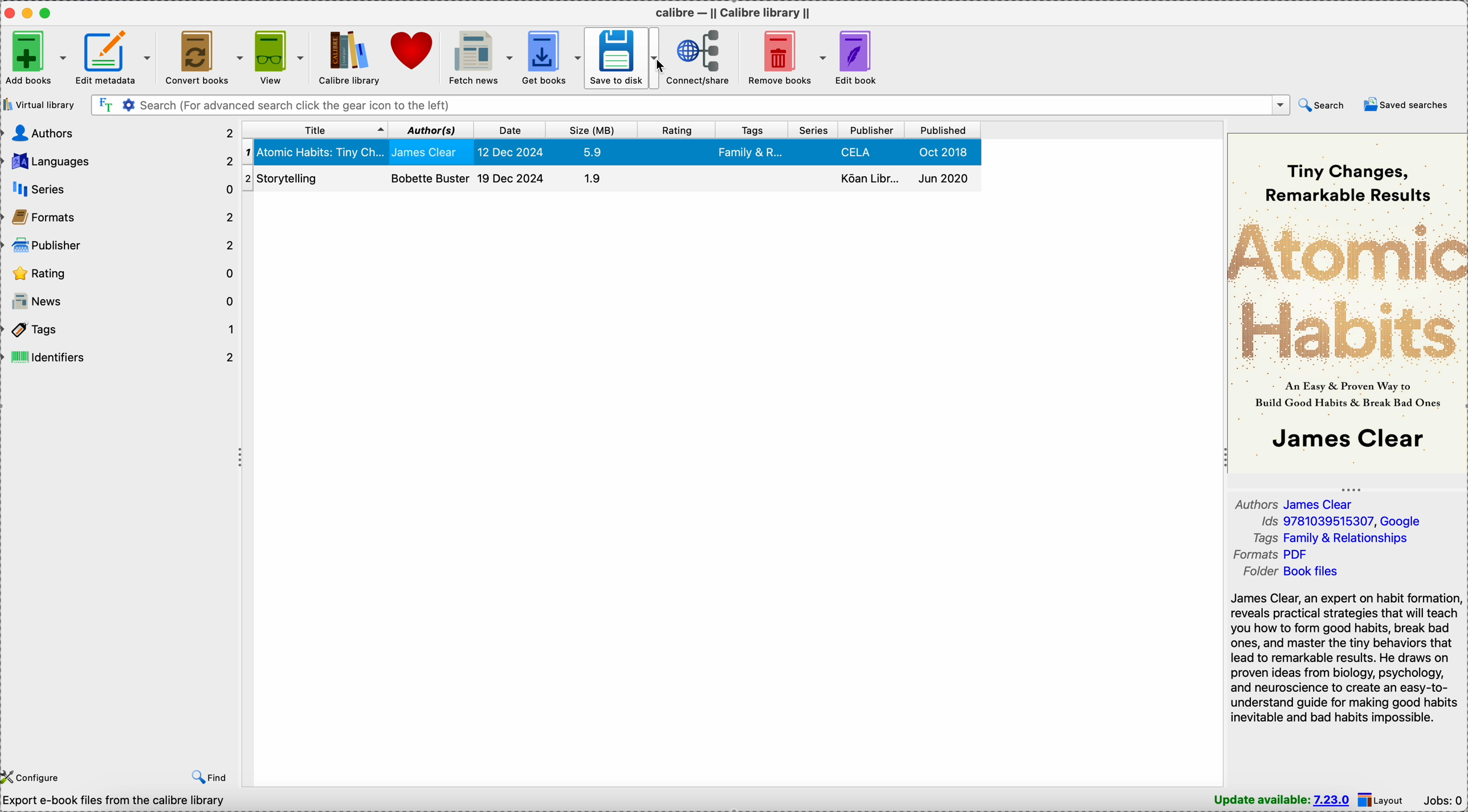 The height and width of the screenshot is (812, 1468). I want to click on rating, so click(121, 274).